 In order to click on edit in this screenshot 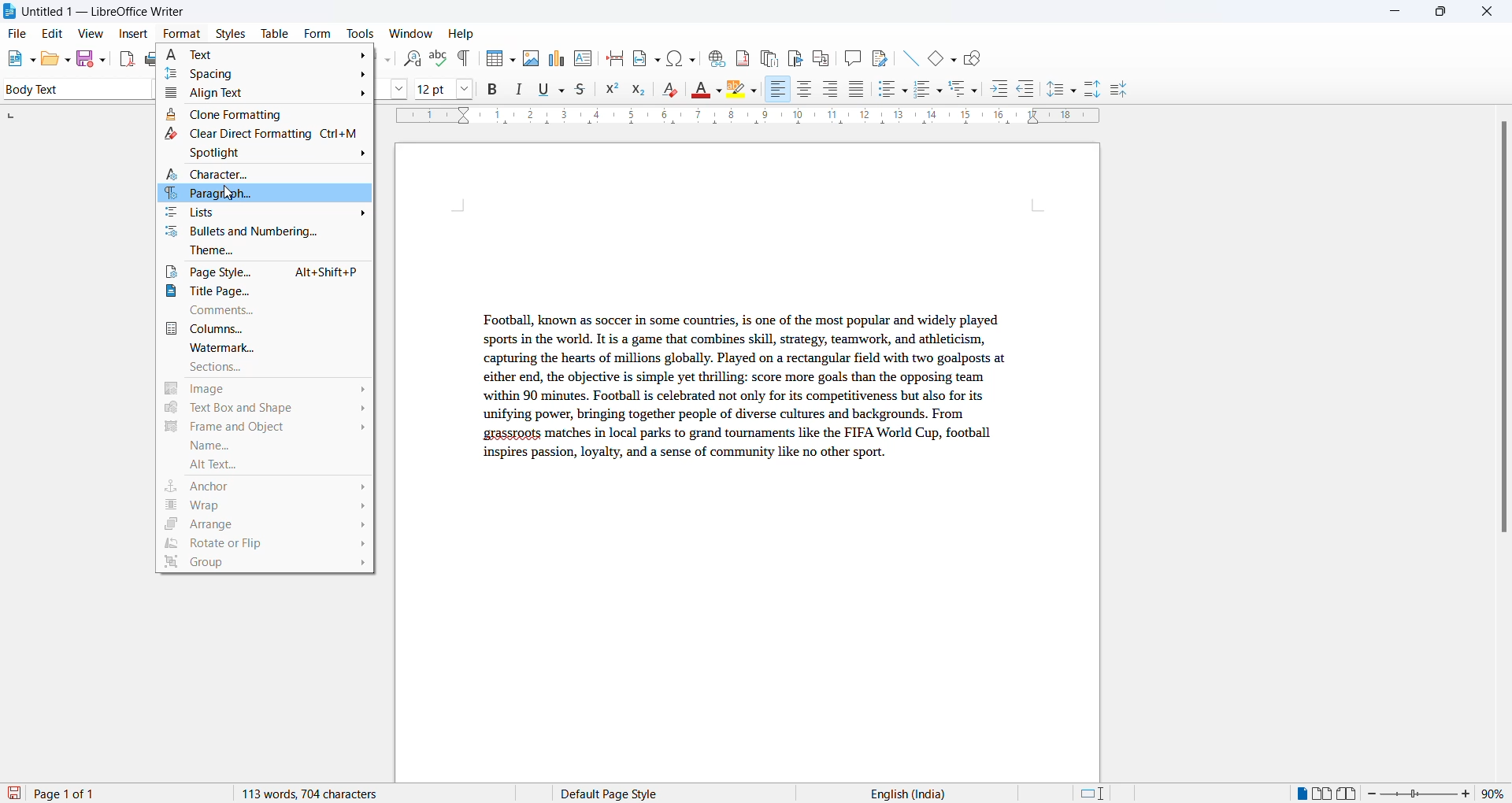, I will do `click(54, 34)`.